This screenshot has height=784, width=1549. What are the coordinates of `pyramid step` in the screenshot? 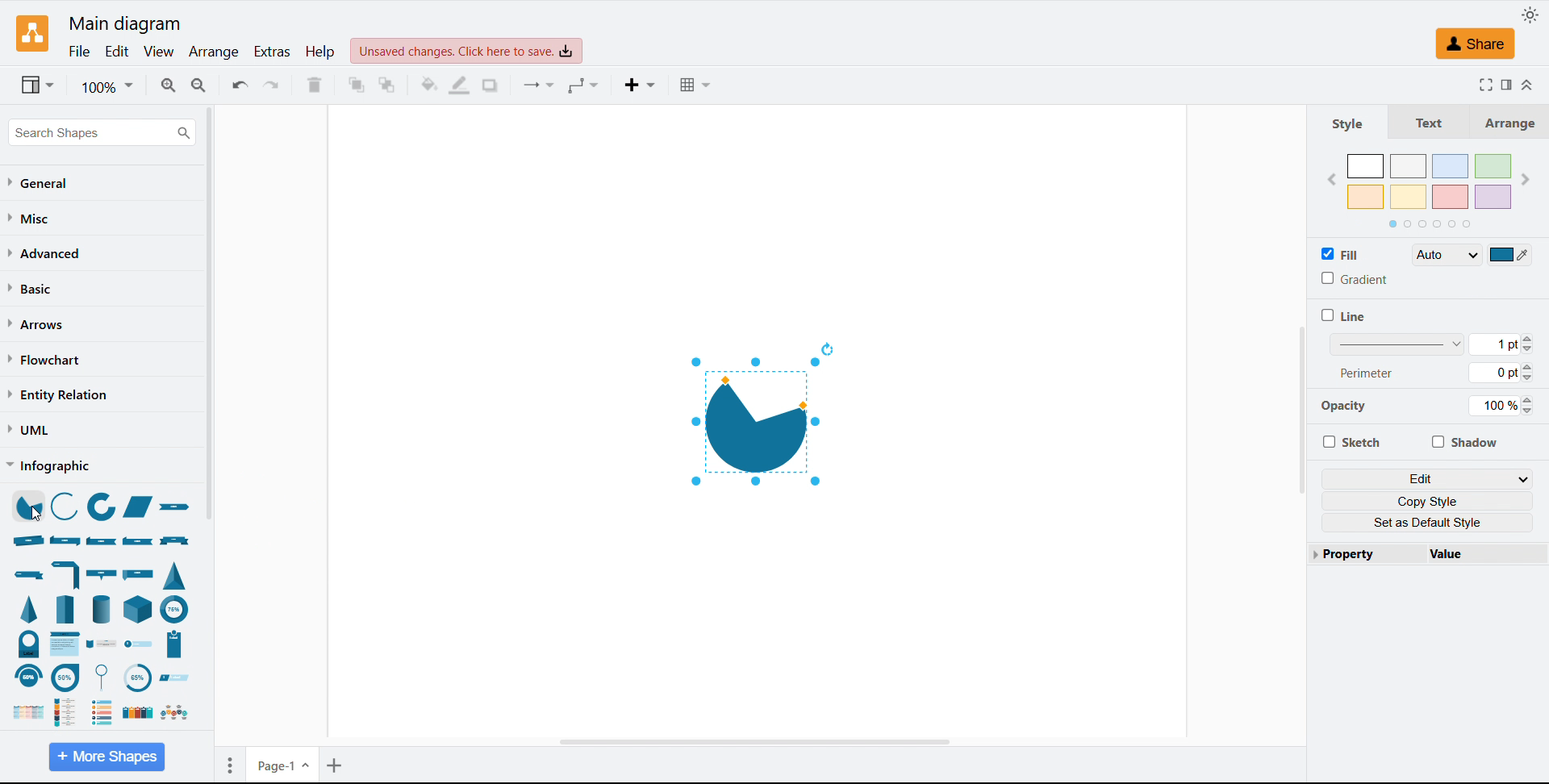 It's located at (66, 608).